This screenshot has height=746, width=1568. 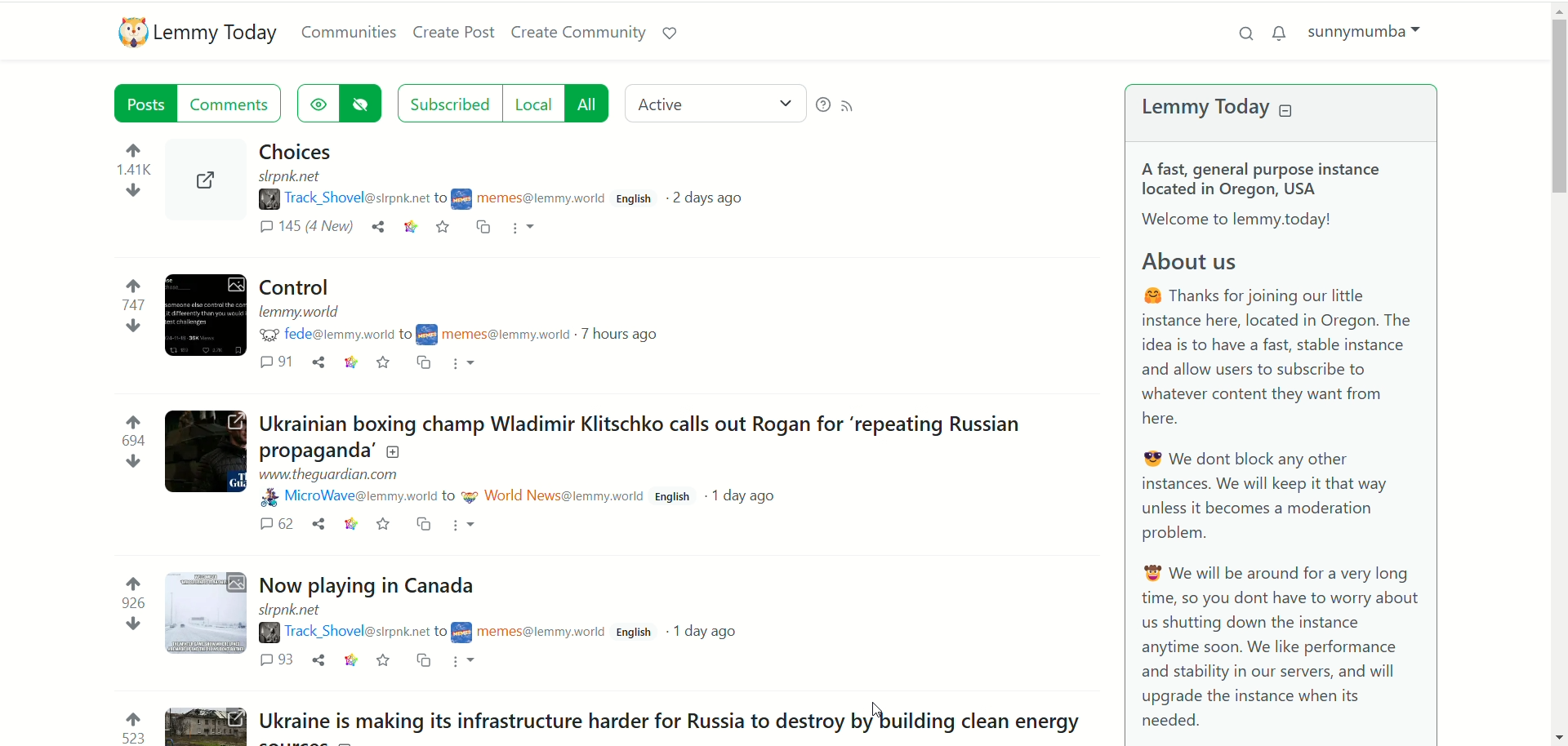 I want to click on more, so click(x=523, y=231).